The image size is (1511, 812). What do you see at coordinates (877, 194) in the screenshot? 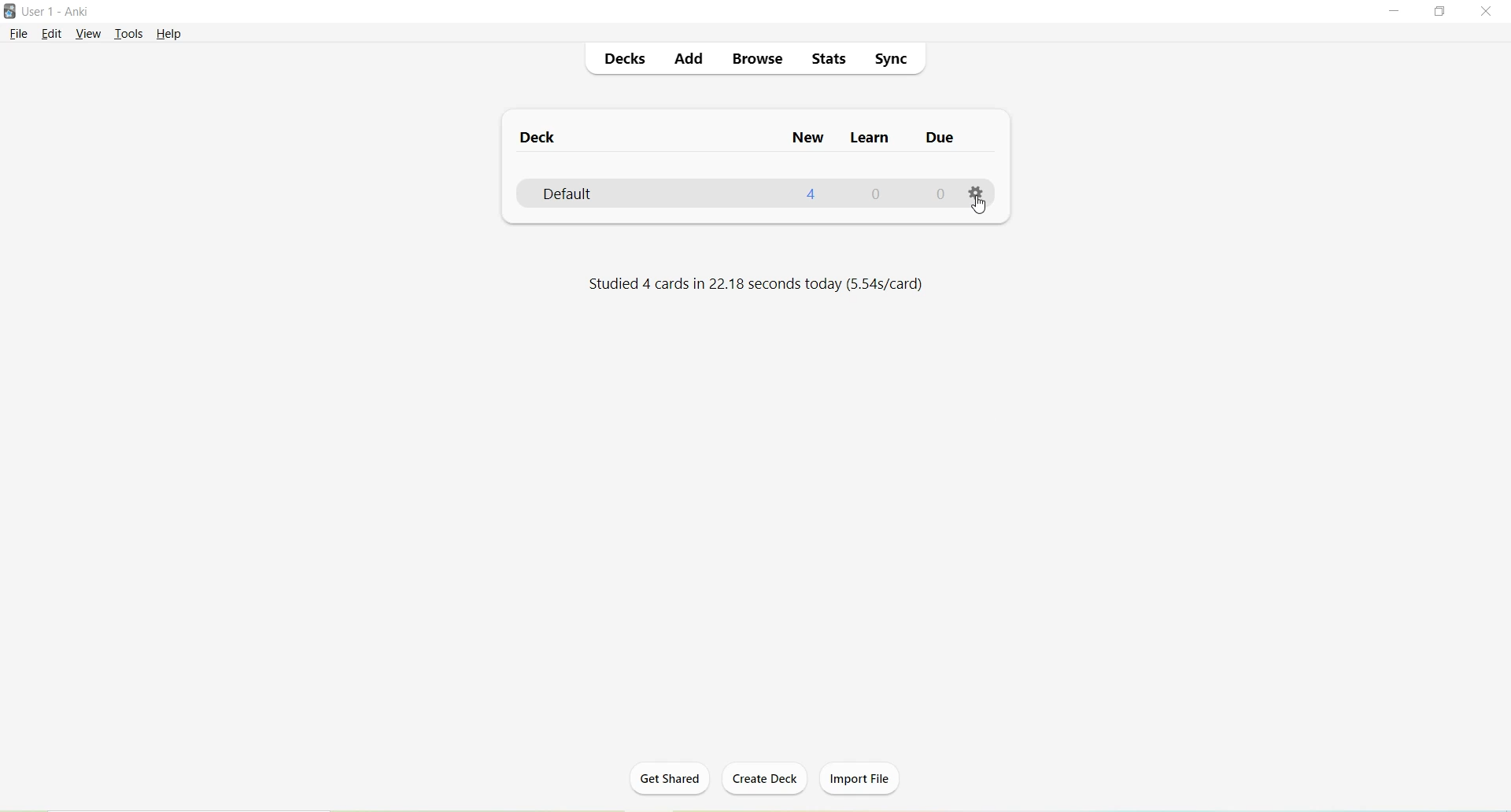
I see `0` at bounding box center [877, 194].